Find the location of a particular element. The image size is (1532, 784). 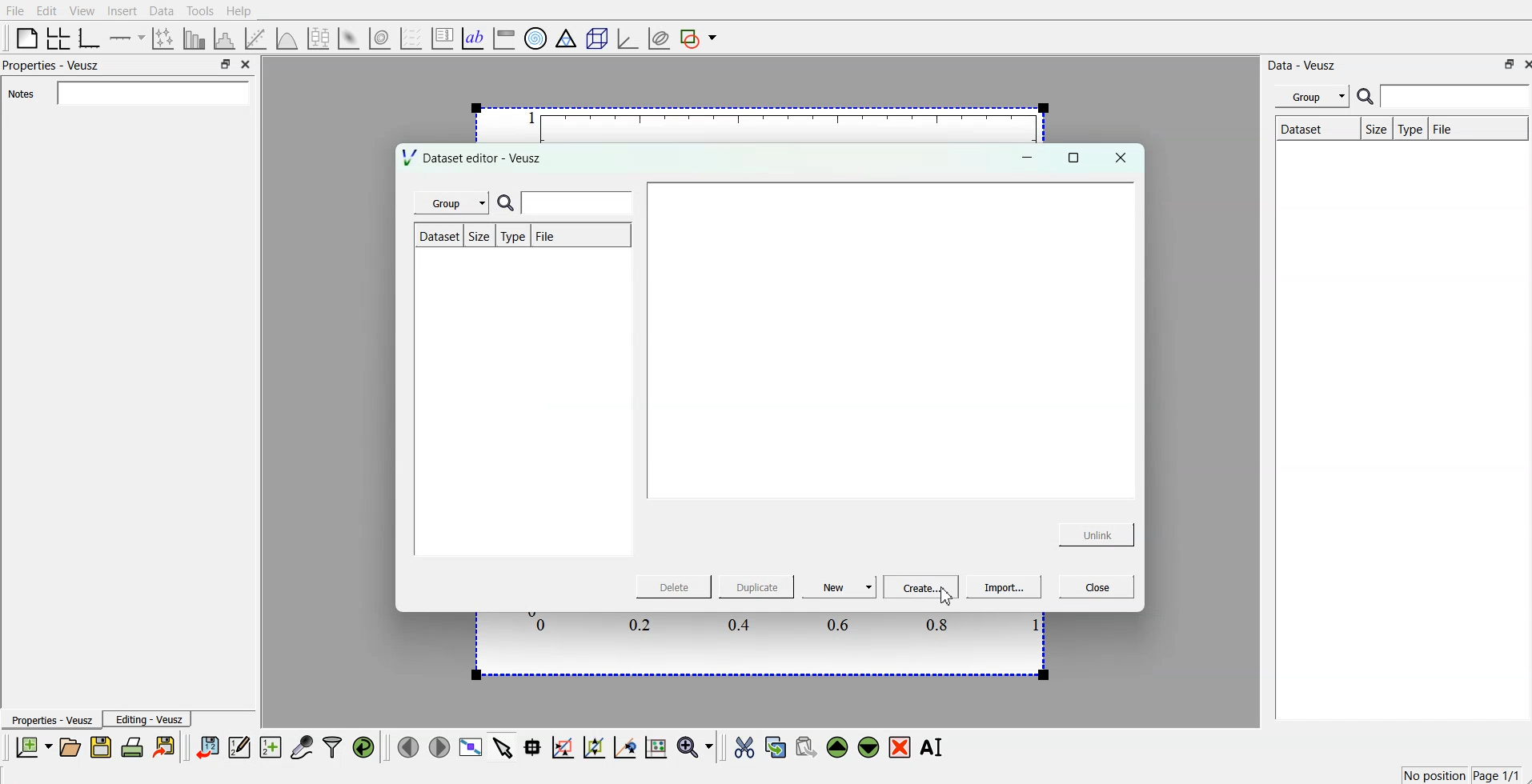

add a shape is located at coordinates (700, 38).